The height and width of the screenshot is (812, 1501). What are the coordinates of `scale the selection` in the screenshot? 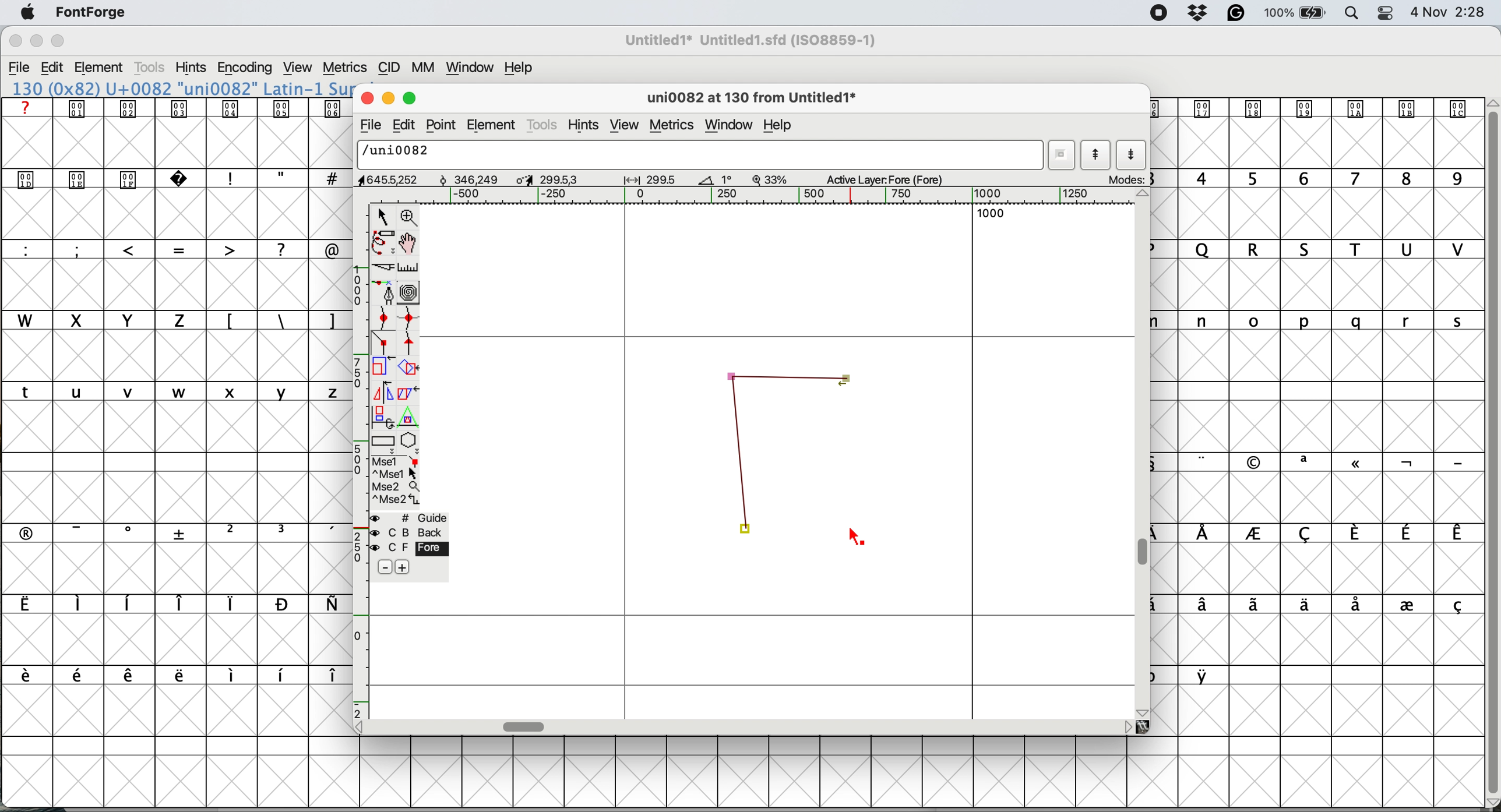 It's located at (383, 369).